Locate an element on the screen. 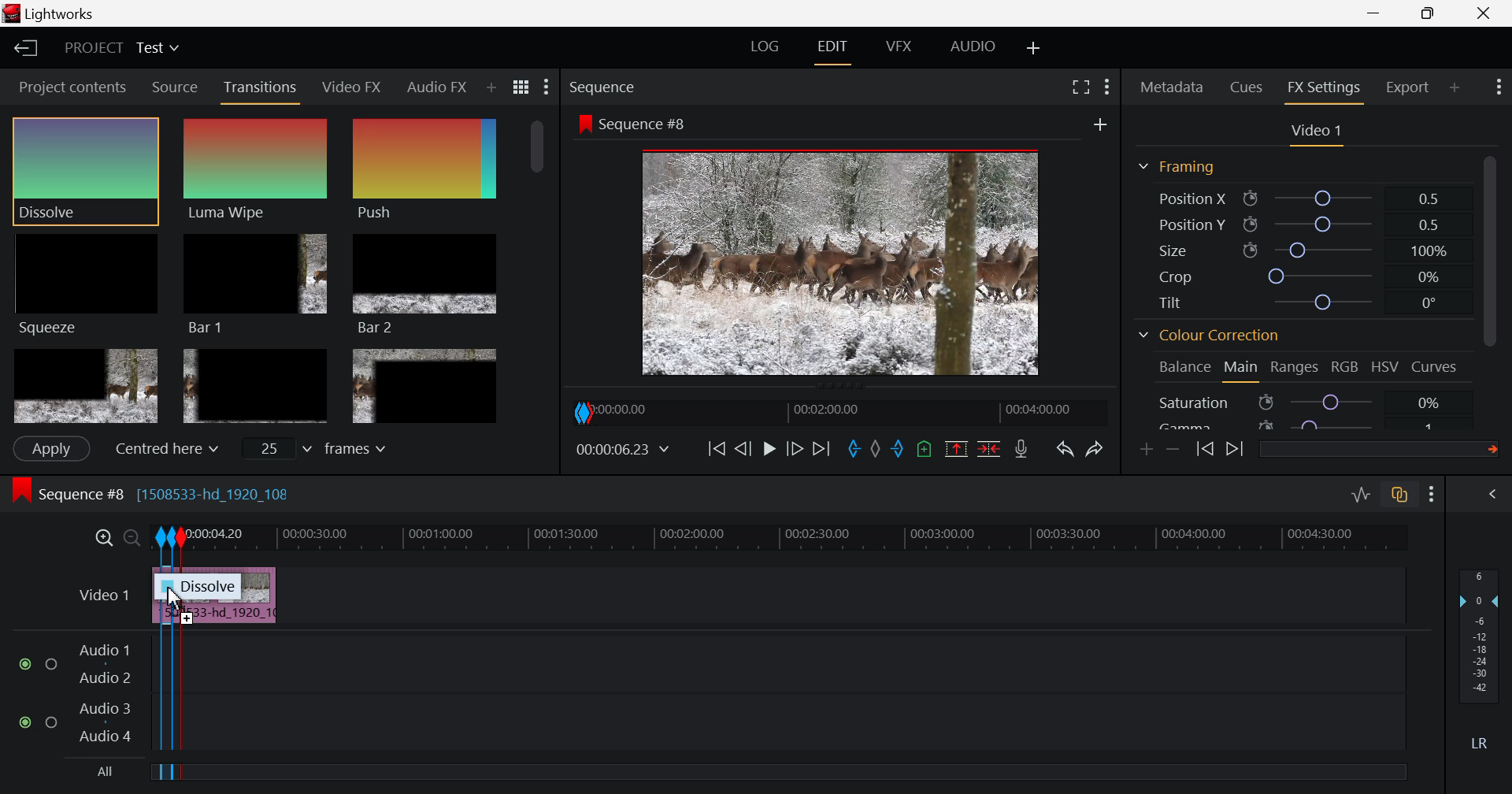 This screenshot has width=1512, height=794. Project Title is located at coordinates (121, 50).